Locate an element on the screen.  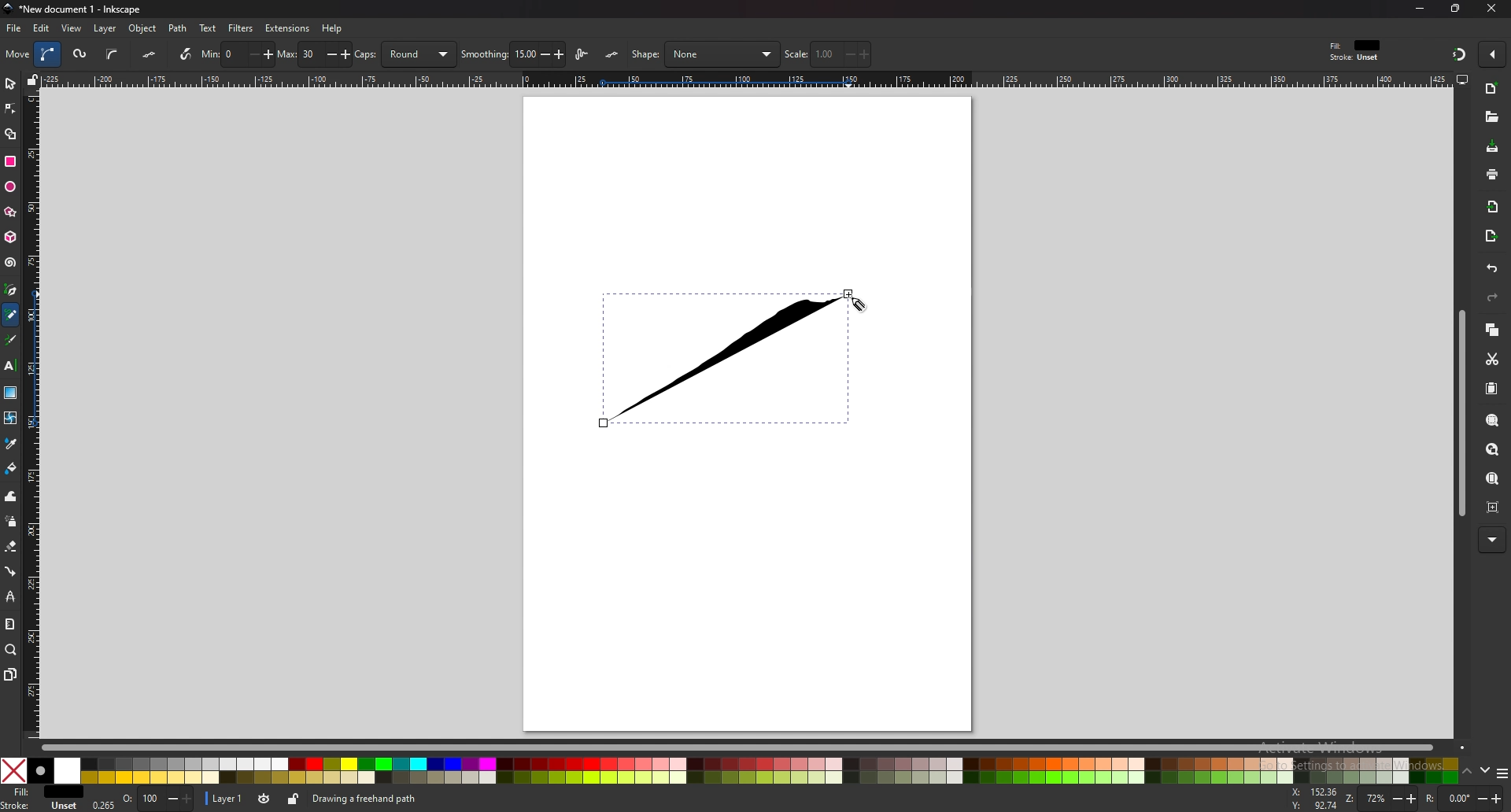
gradient is located at coordinates (10, 392).